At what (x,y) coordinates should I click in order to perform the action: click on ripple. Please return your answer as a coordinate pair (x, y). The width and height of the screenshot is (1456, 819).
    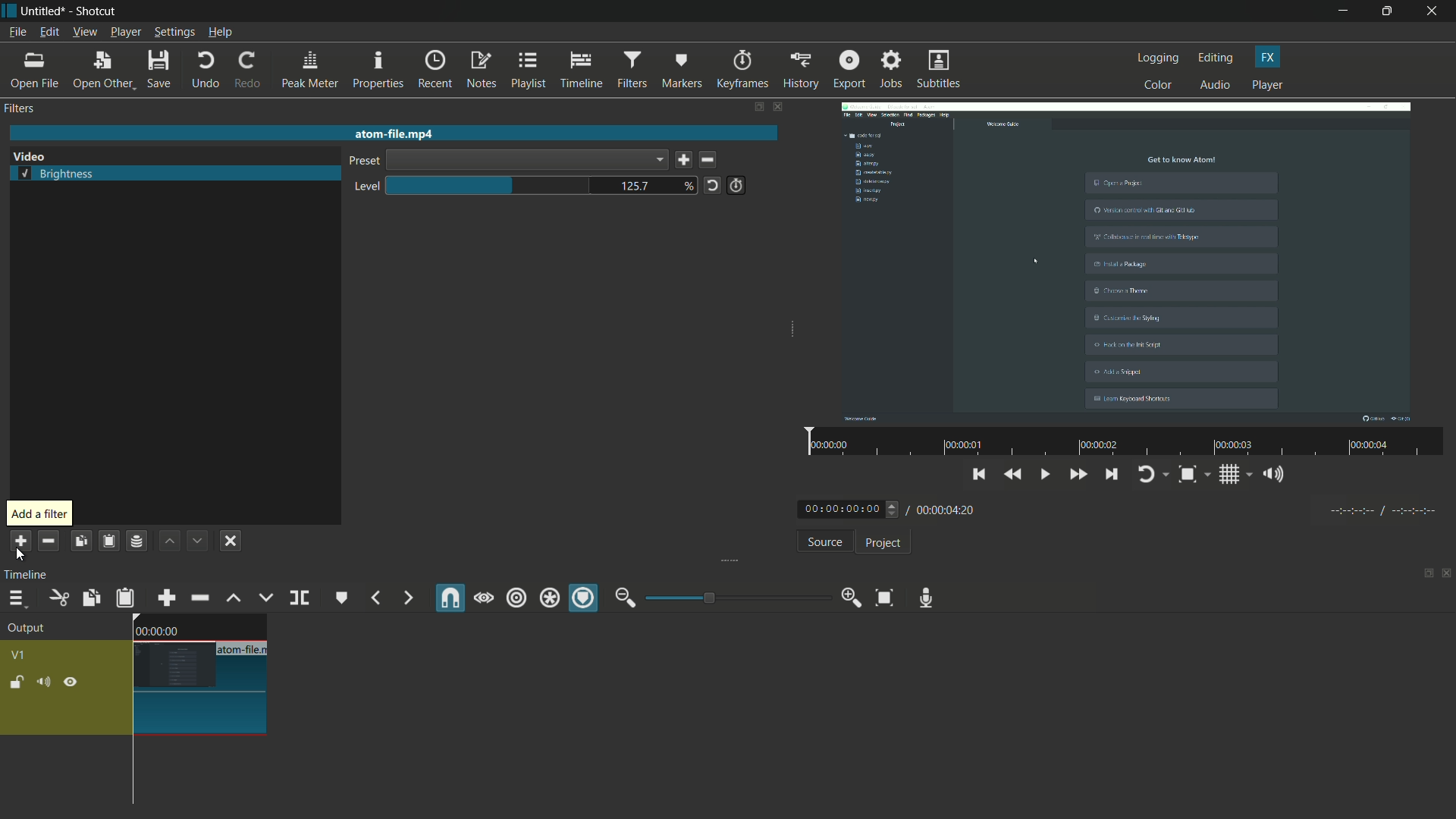
    Looking at the image, I should click on (516, 598).